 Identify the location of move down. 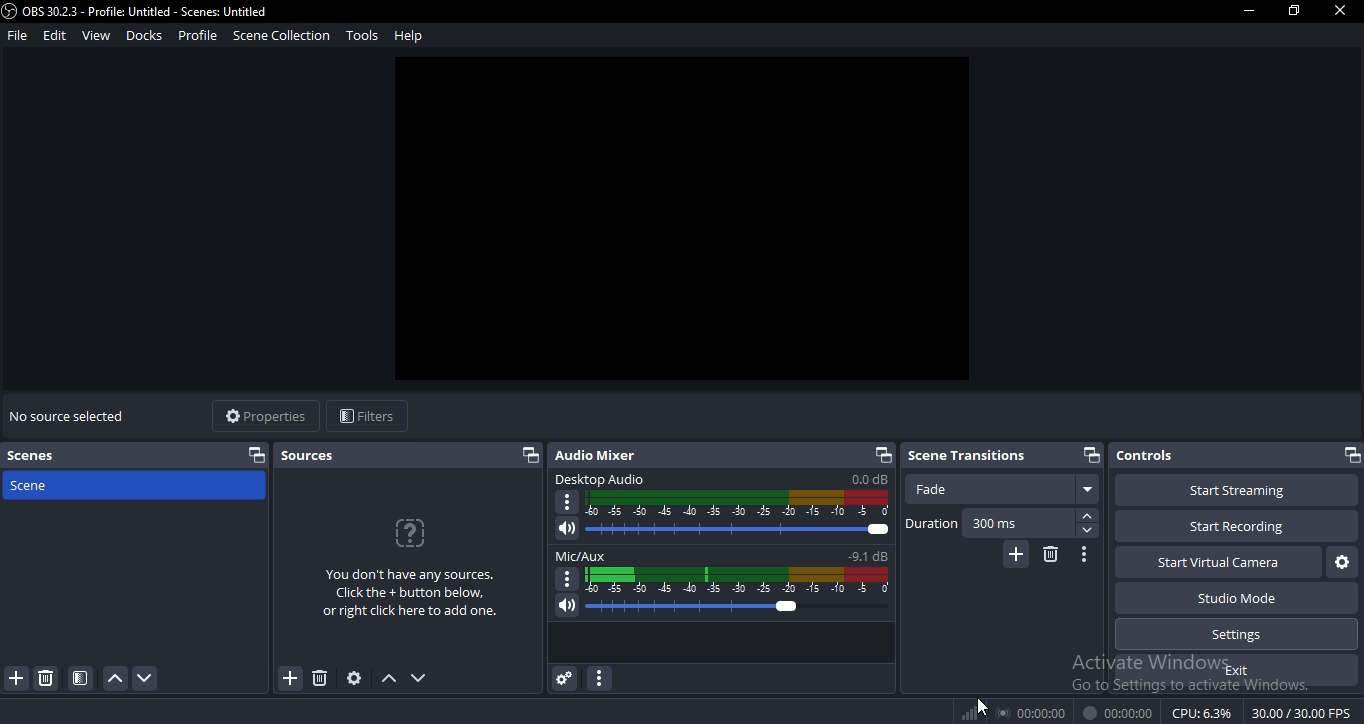
(419, 678).